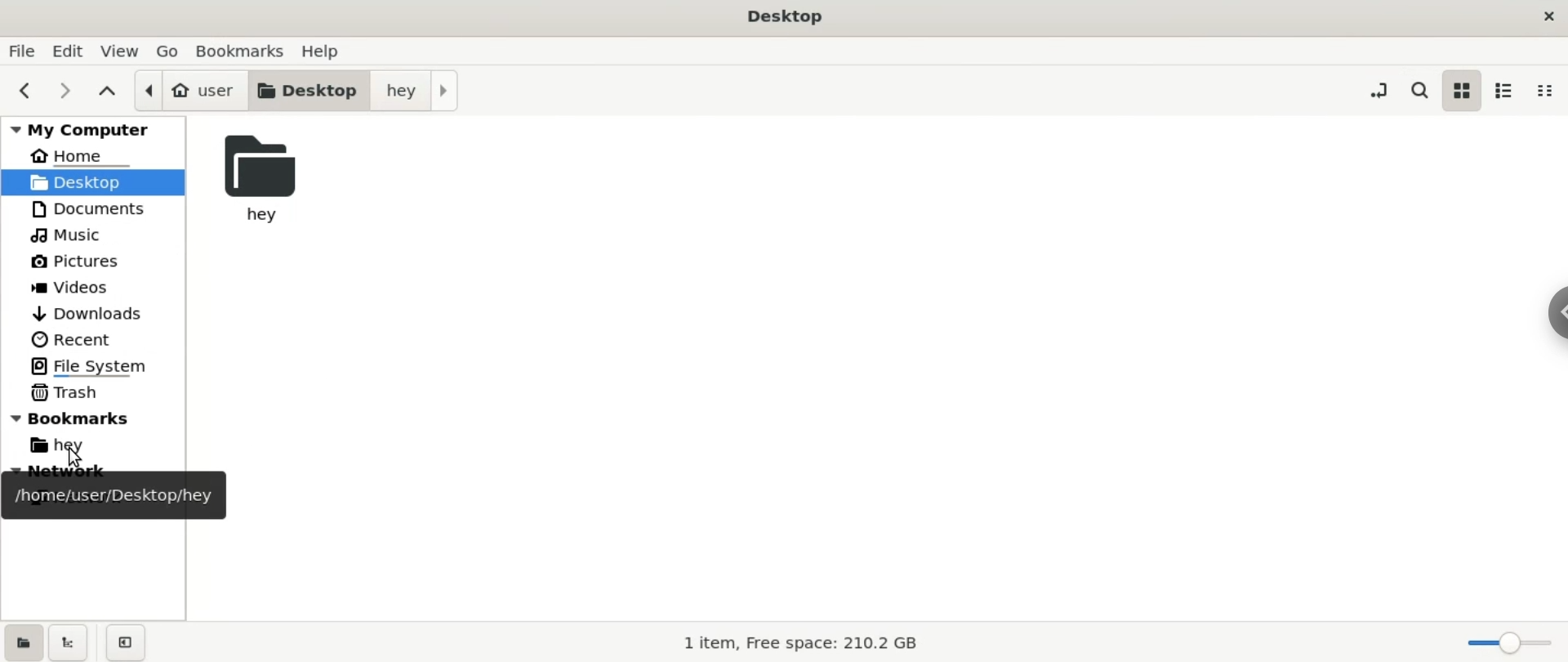 The height and width of the screenshot is (662, 1568). Describe the element at coordinates (76, 454) in the screenshot. I see `cursor` at that location.